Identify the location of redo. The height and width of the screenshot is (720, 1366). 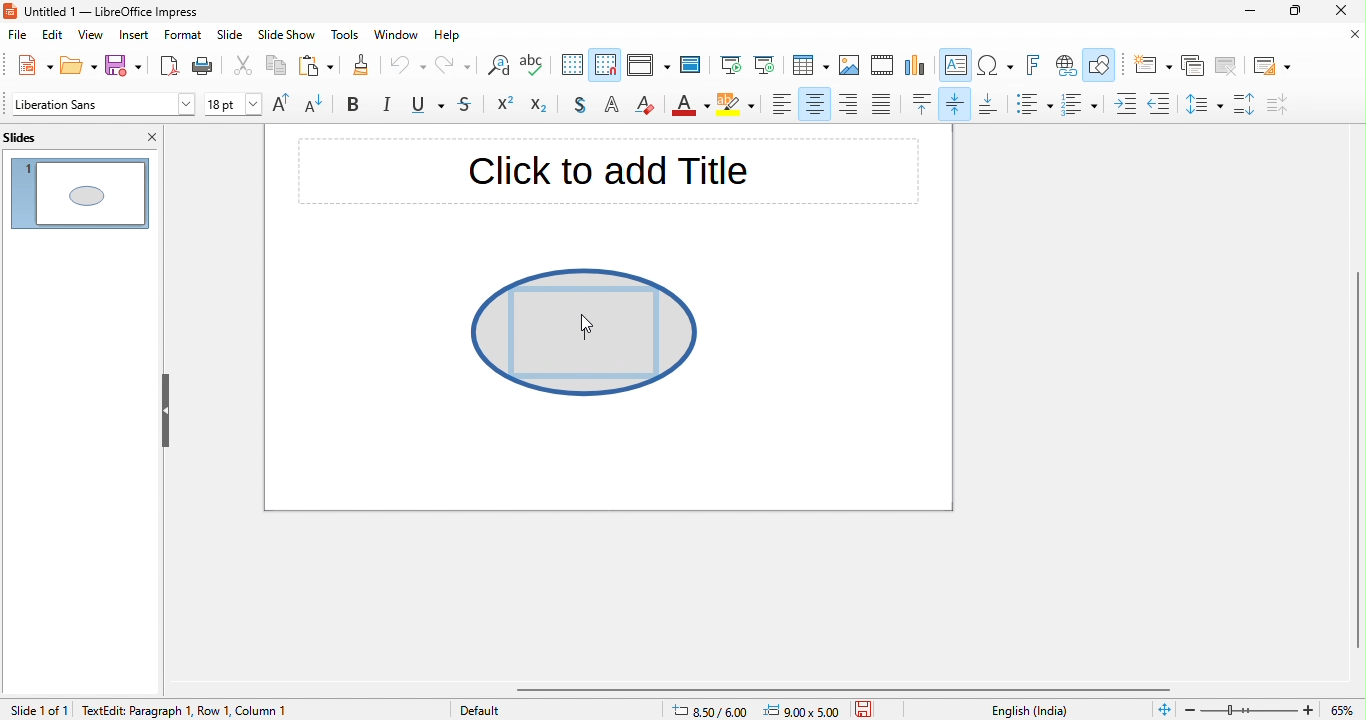
(452, 68).